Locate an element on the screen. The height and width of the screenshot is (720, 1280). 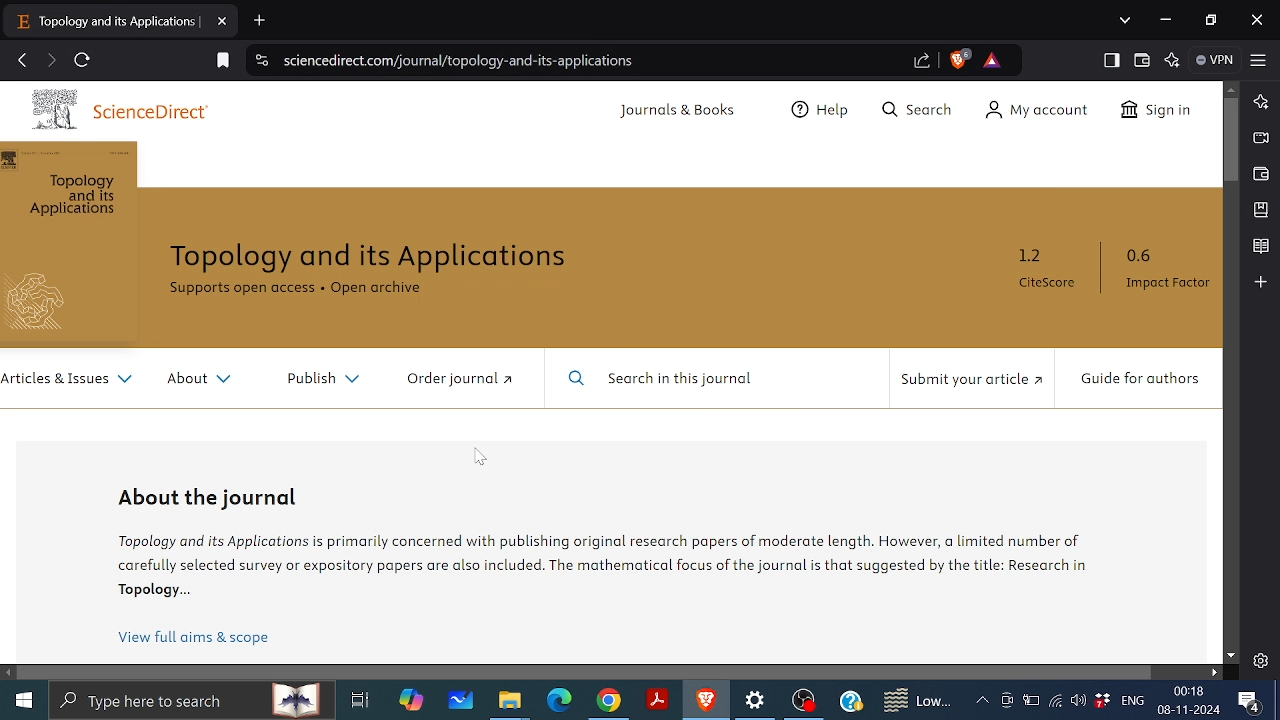
@ Help is located at coordinates (825, 107).